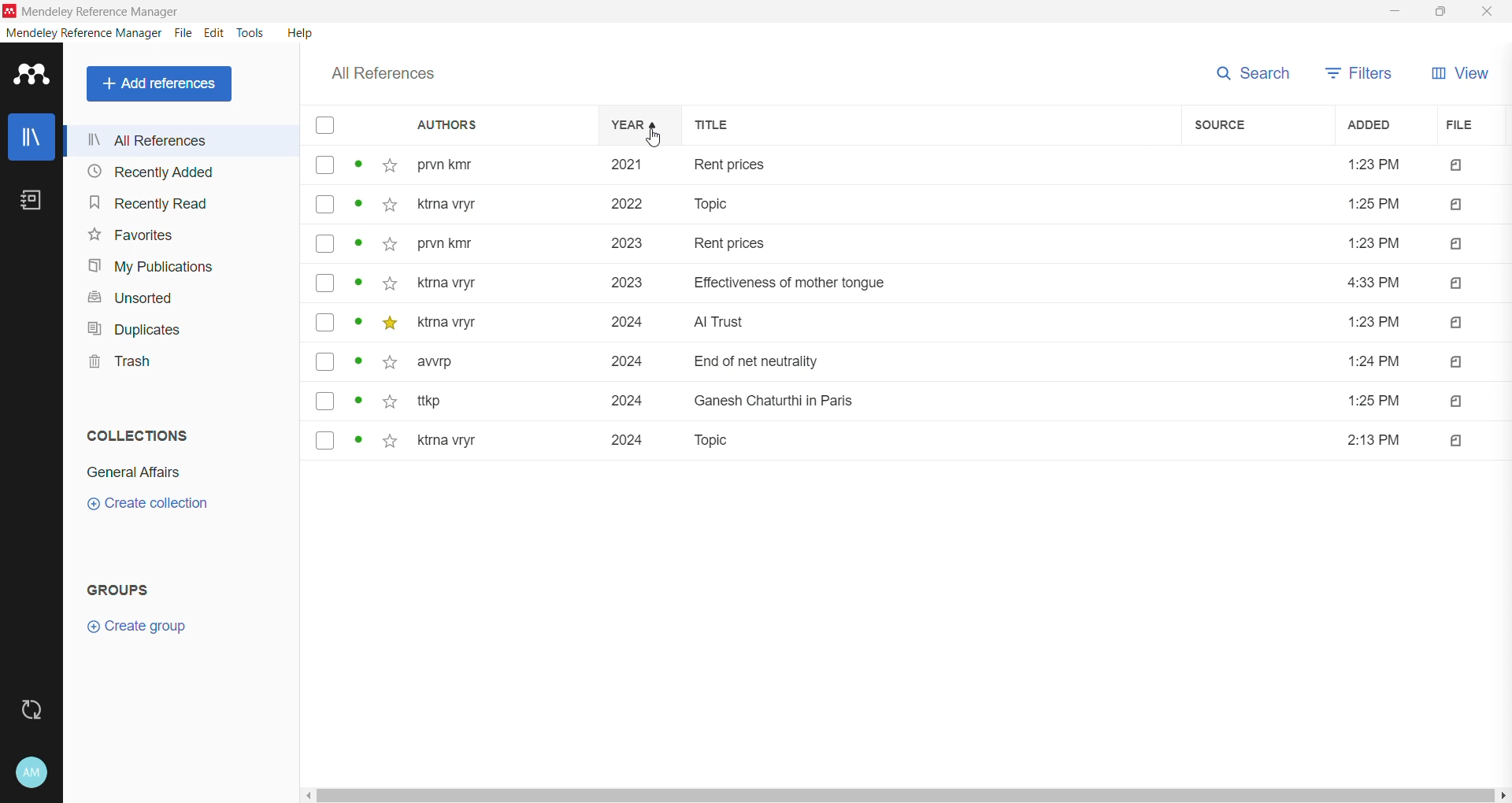  I want to click on unread, so click(359, 282).